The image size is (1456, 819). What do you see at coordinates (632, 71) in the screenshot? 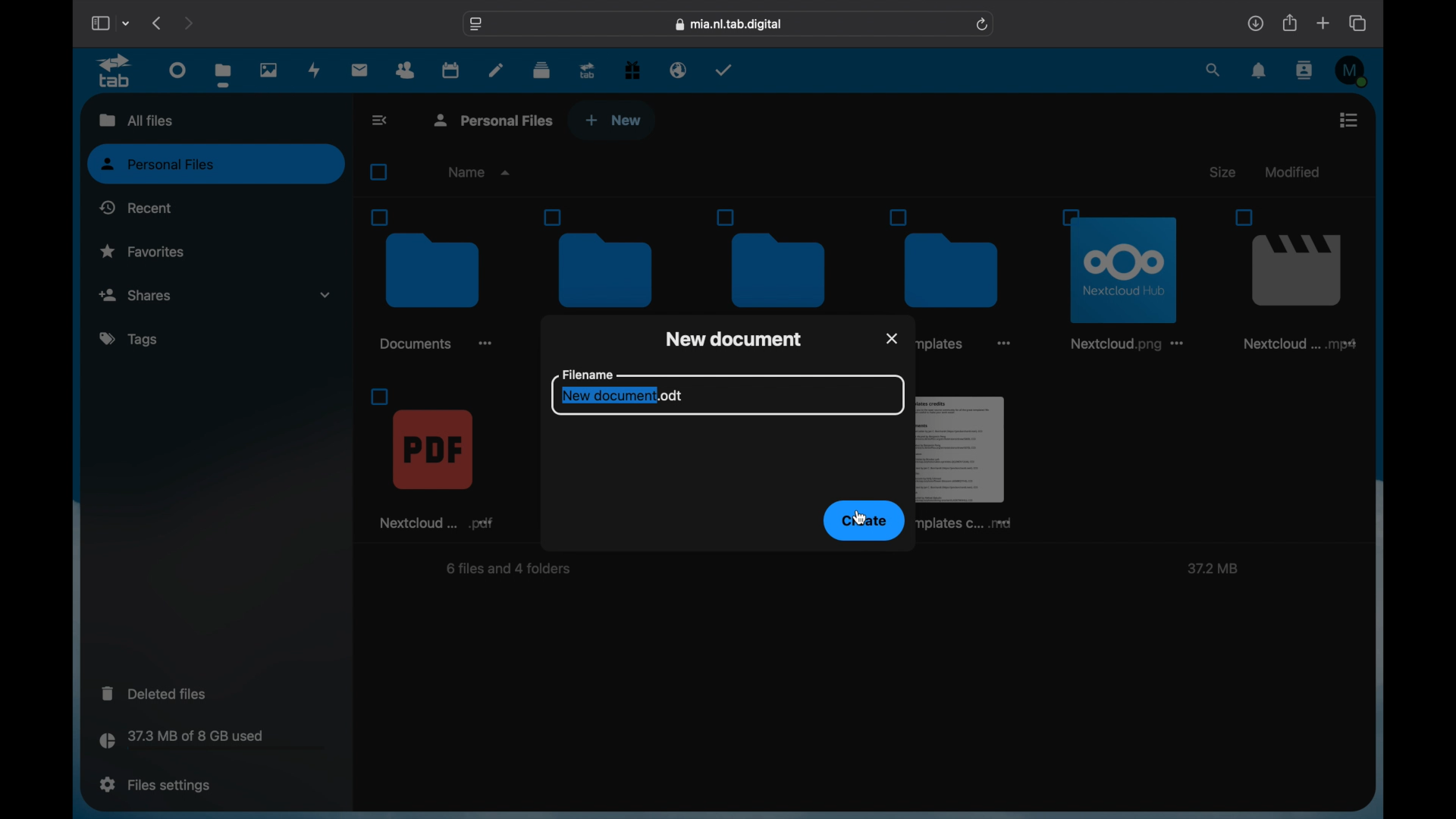
I see `free trial` at bounding box center [632, 71].